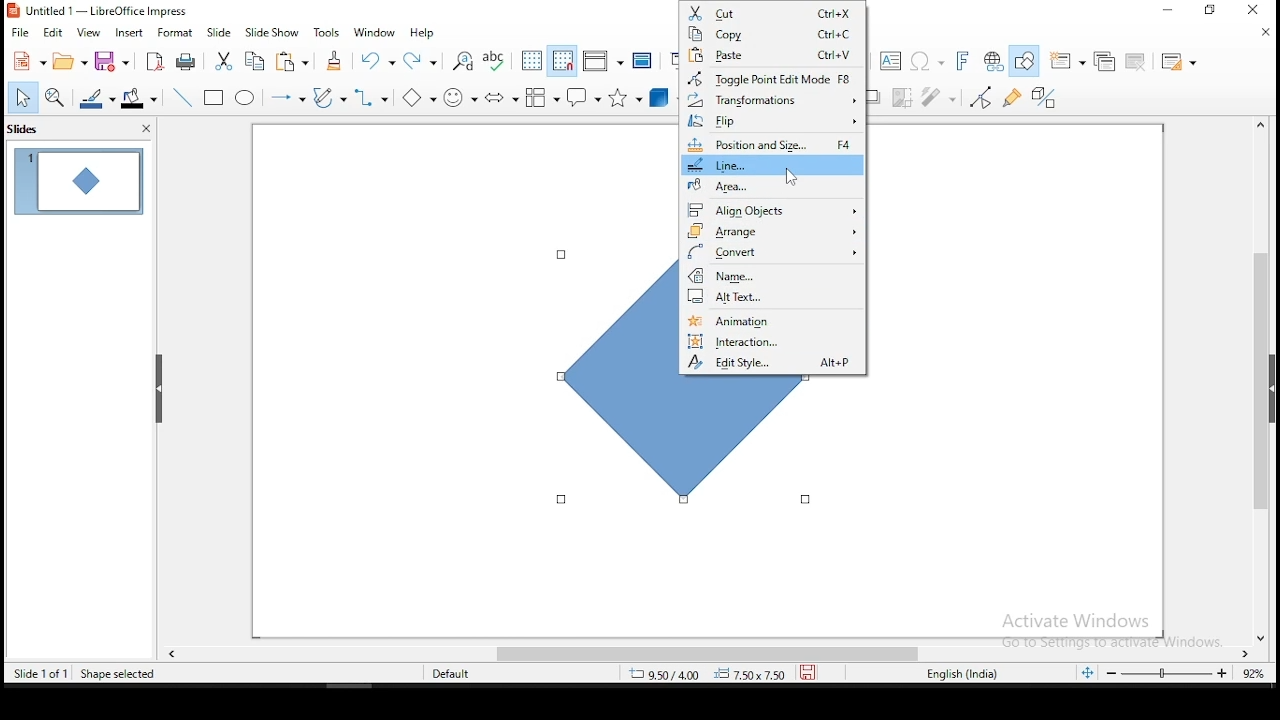 The image size is (1280, 720). What do you see at coordinates (774, 364) in the screenshot?
I see `edit style` at bounding box center [774, 364].